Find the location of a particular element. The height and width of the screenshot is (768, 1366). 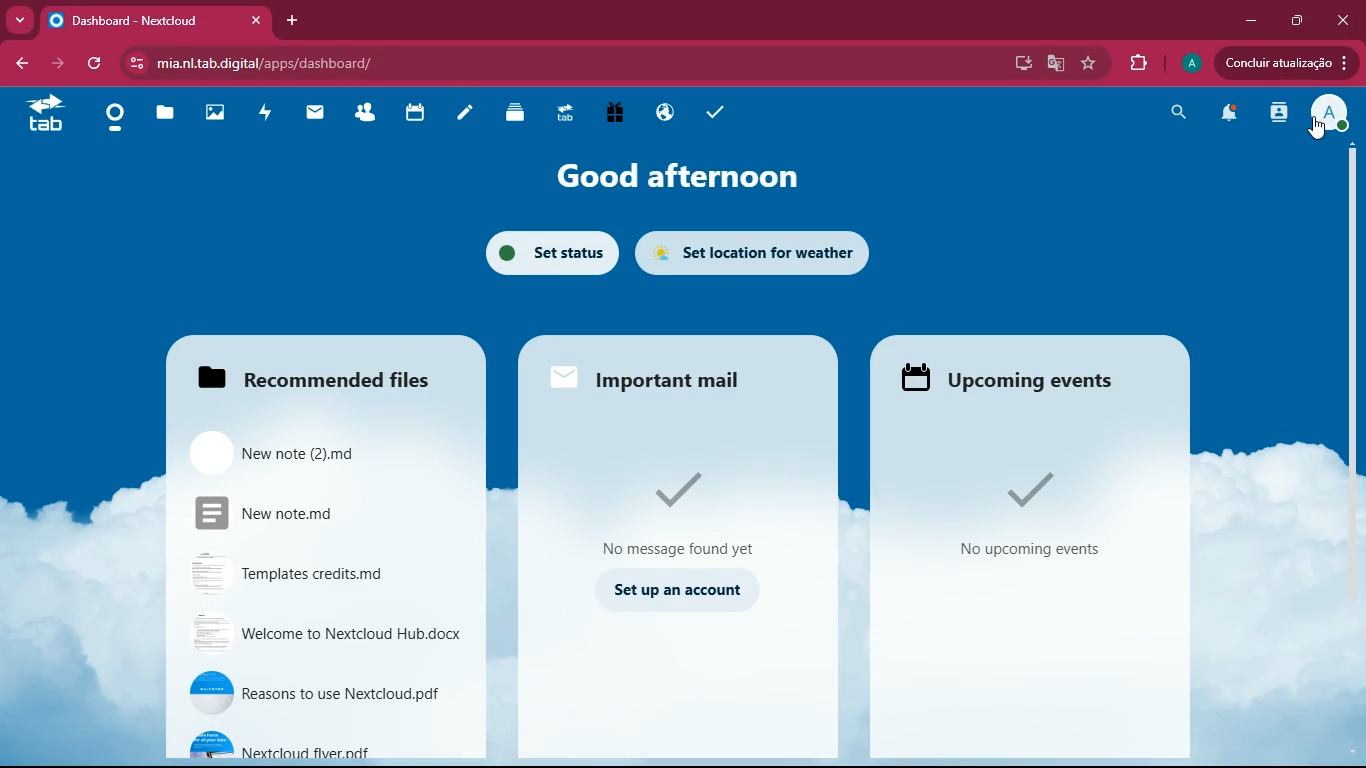

activity is located at coordinates (1274, 114).